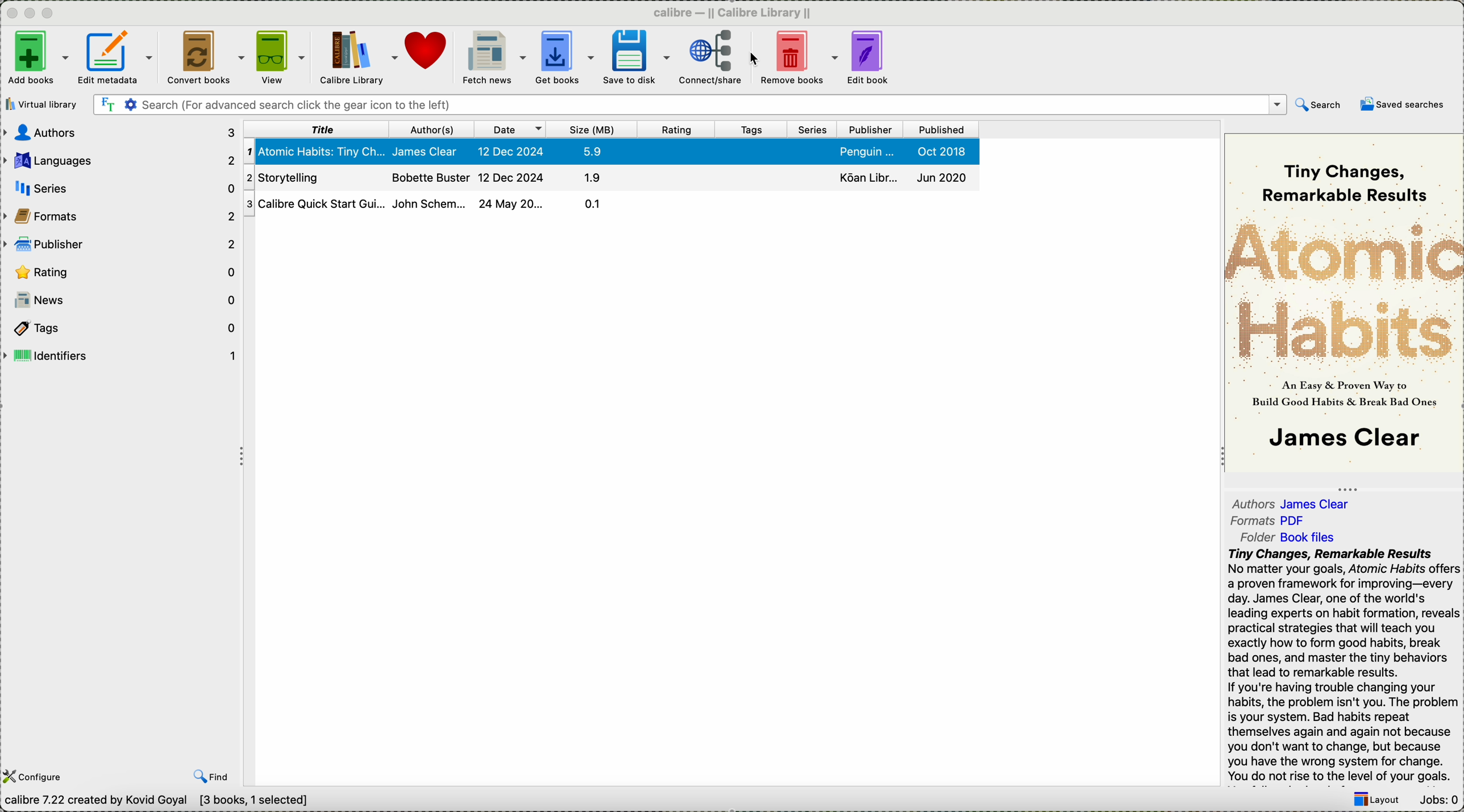 This screenshot has height=812, width=1464. What do you see at coordinates (211, 776) in the screenshot?
I see `find` at bounding box center [211, 776].